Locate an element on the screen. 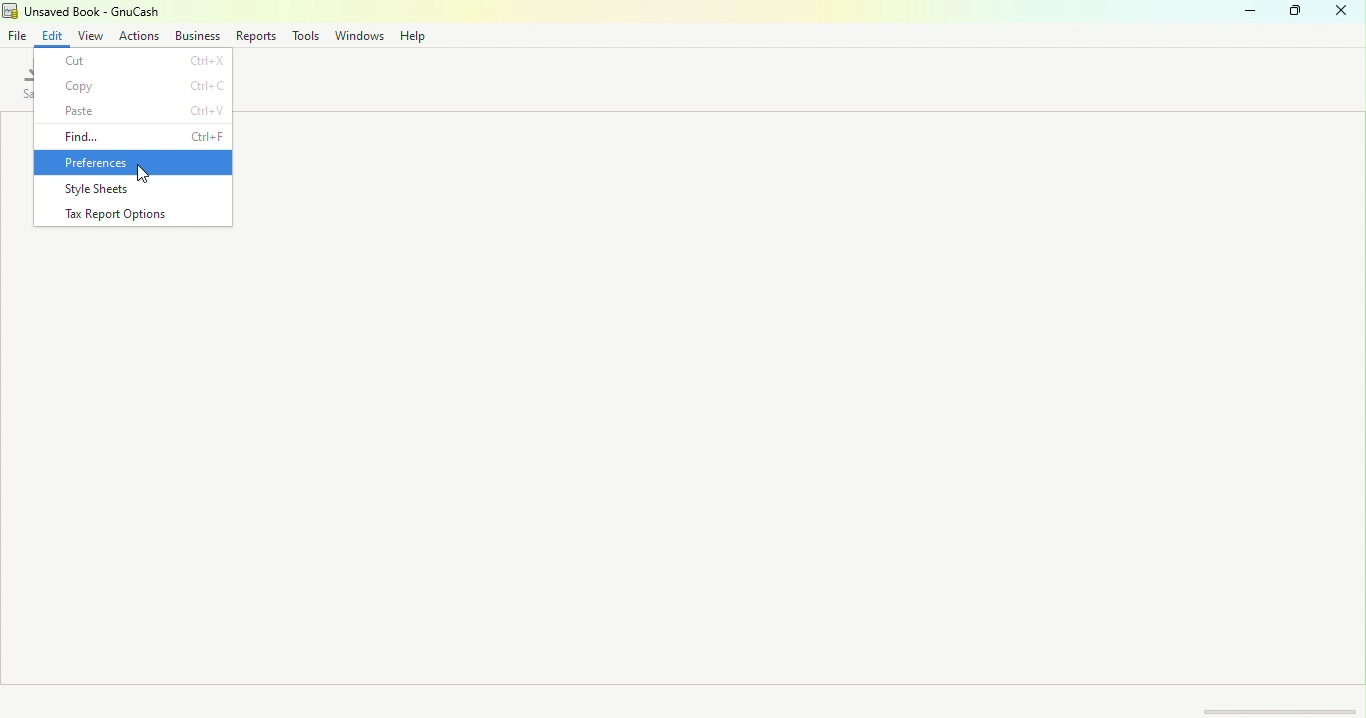  View is located at coordinates (92, 36).